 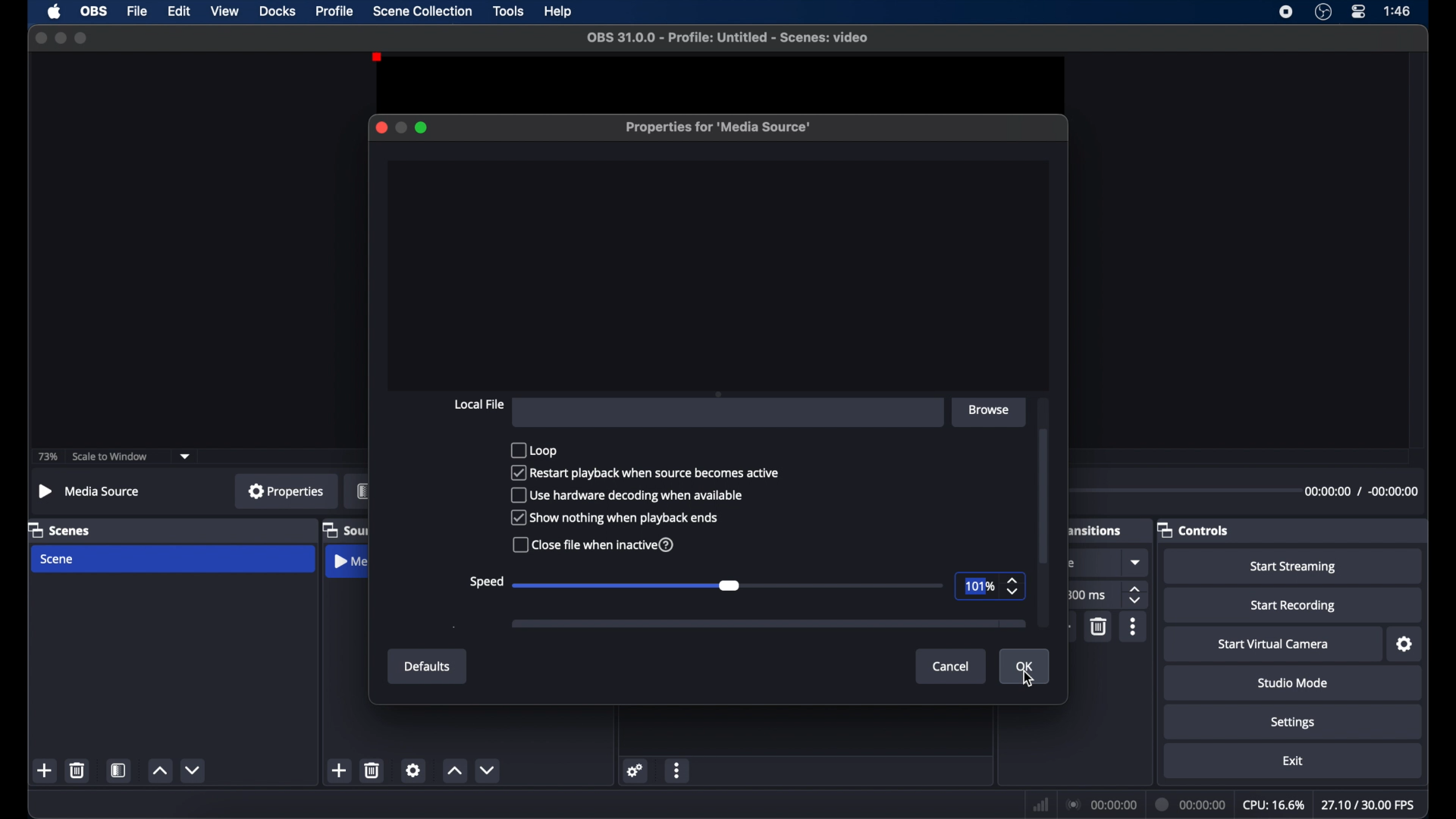 I want to click on obs studio, so click(x=1323, y=11).